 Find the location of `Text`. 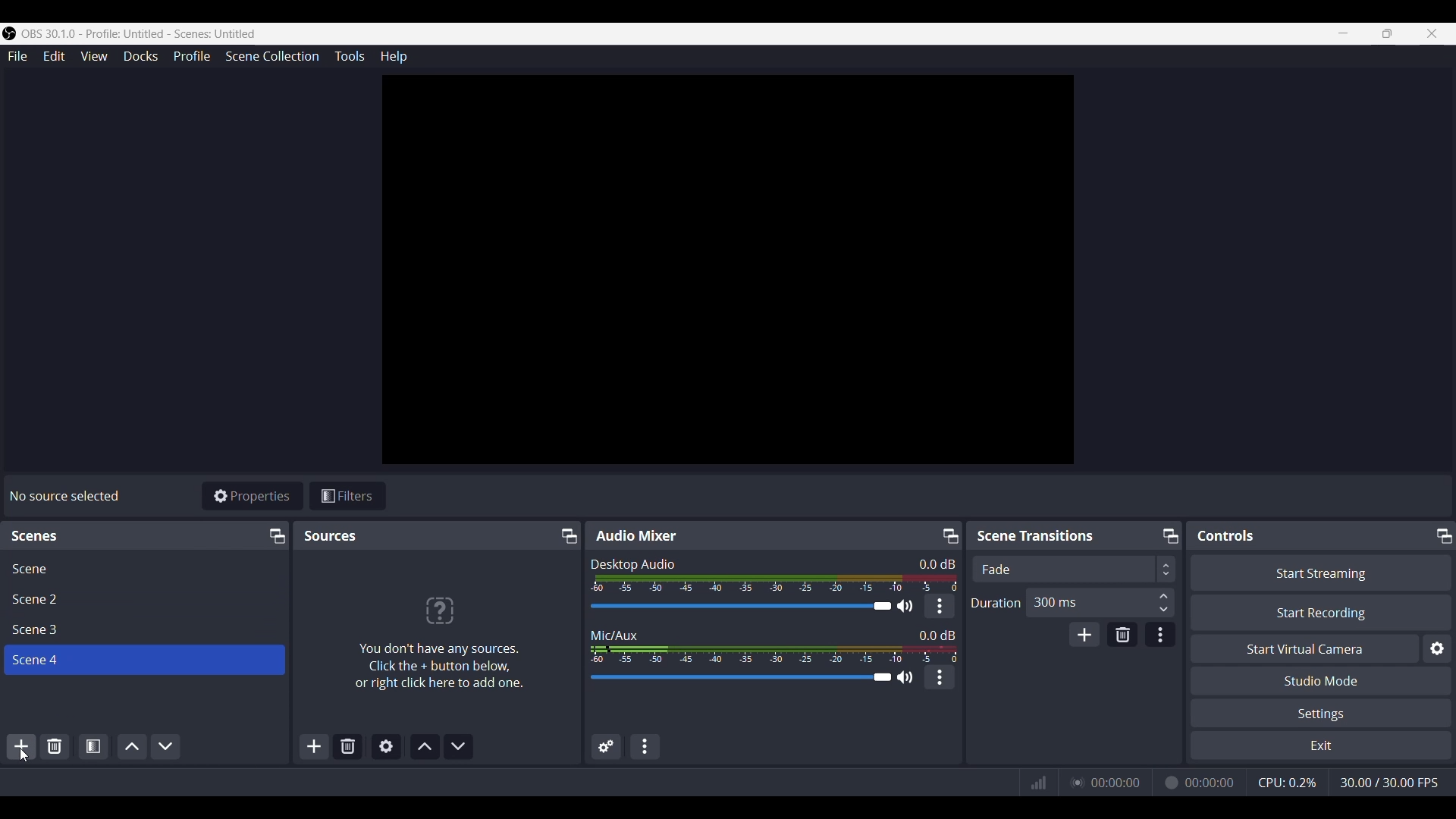

Text is located at coordinates (45, 536).